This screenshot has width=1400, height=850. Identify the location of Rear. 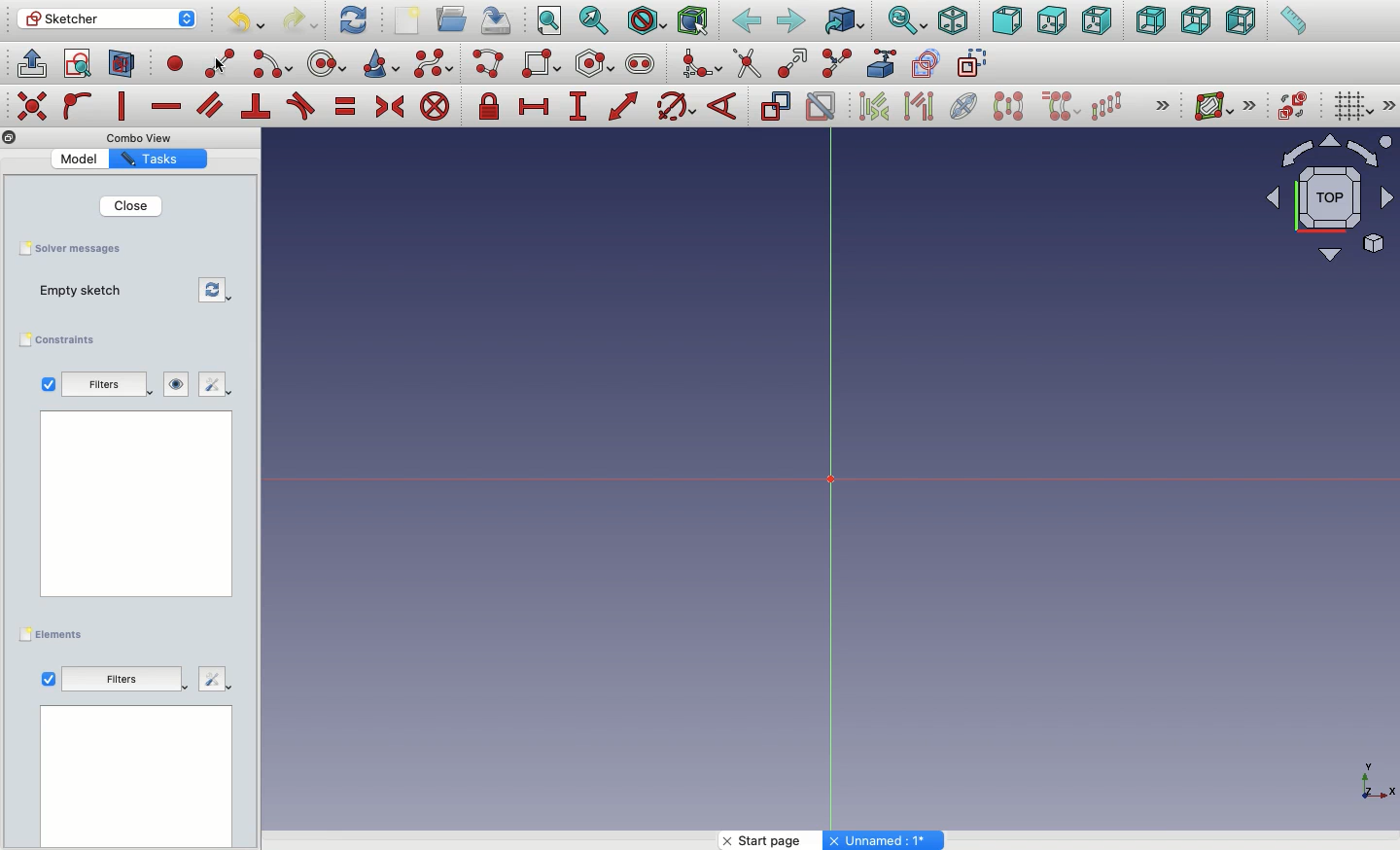
(1149, 21).